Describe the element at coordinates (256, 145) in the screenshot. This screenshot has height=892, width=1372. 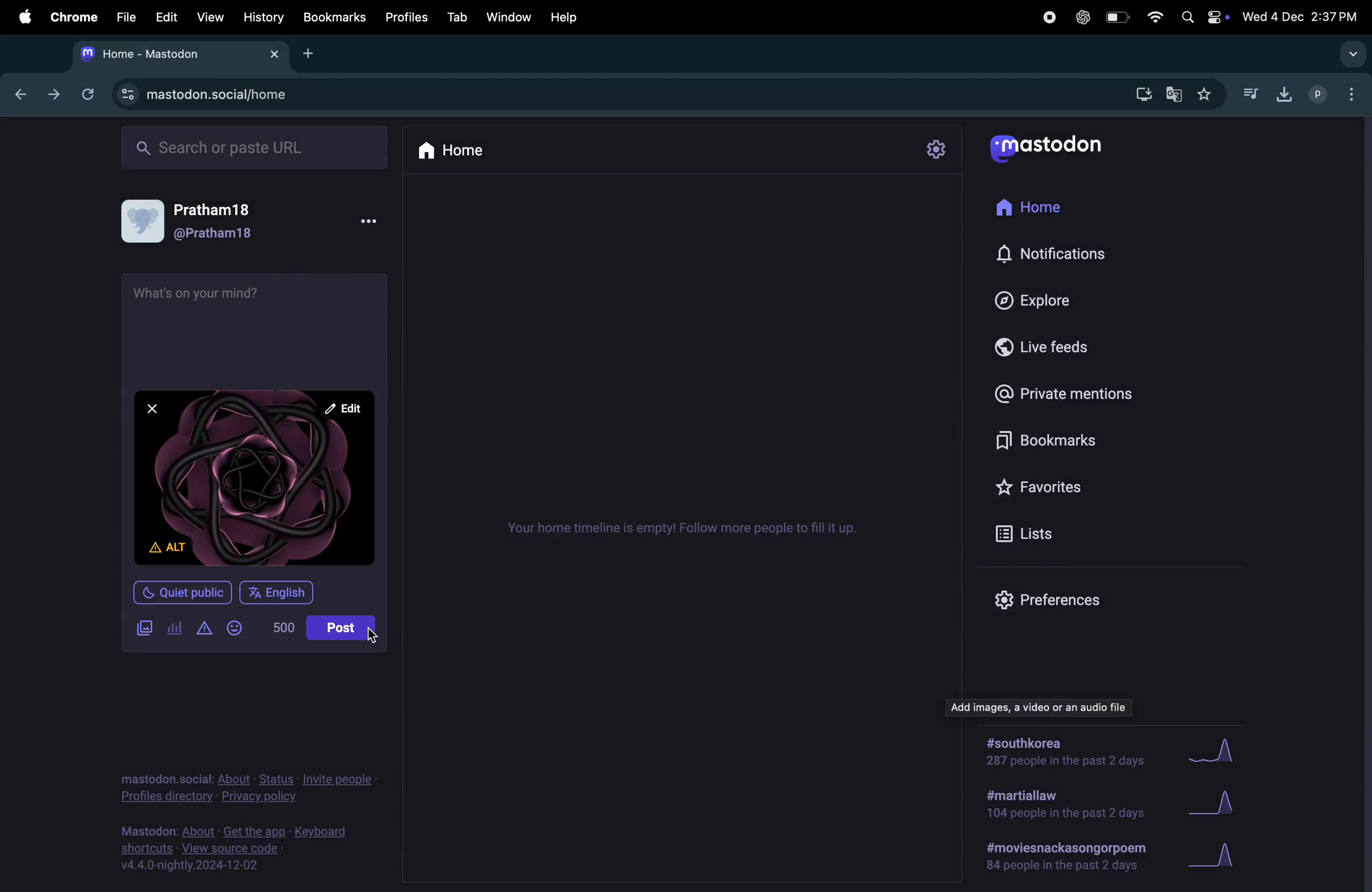
I see `search url` at that location.